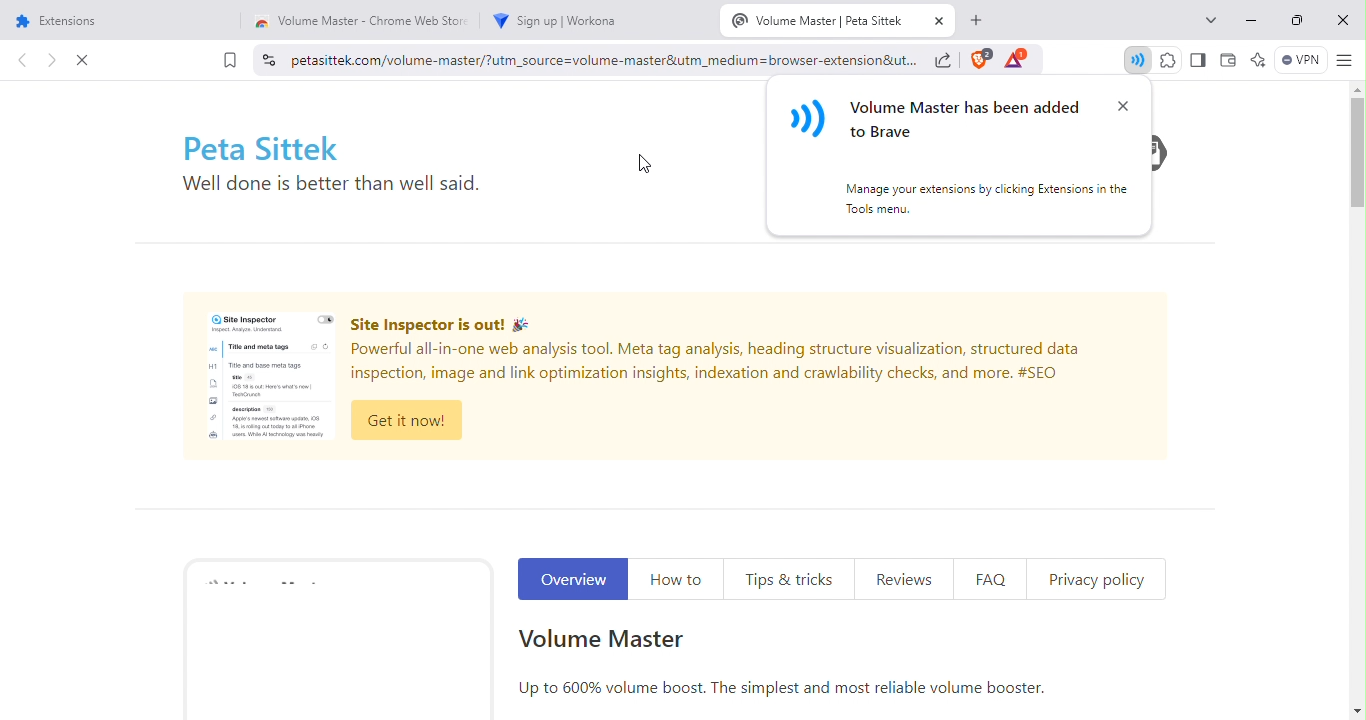 This screenshot has height=720, width=1366. Describe the element at coordinates (643, 161) in the screenshot. I see `Cursor` at that location.